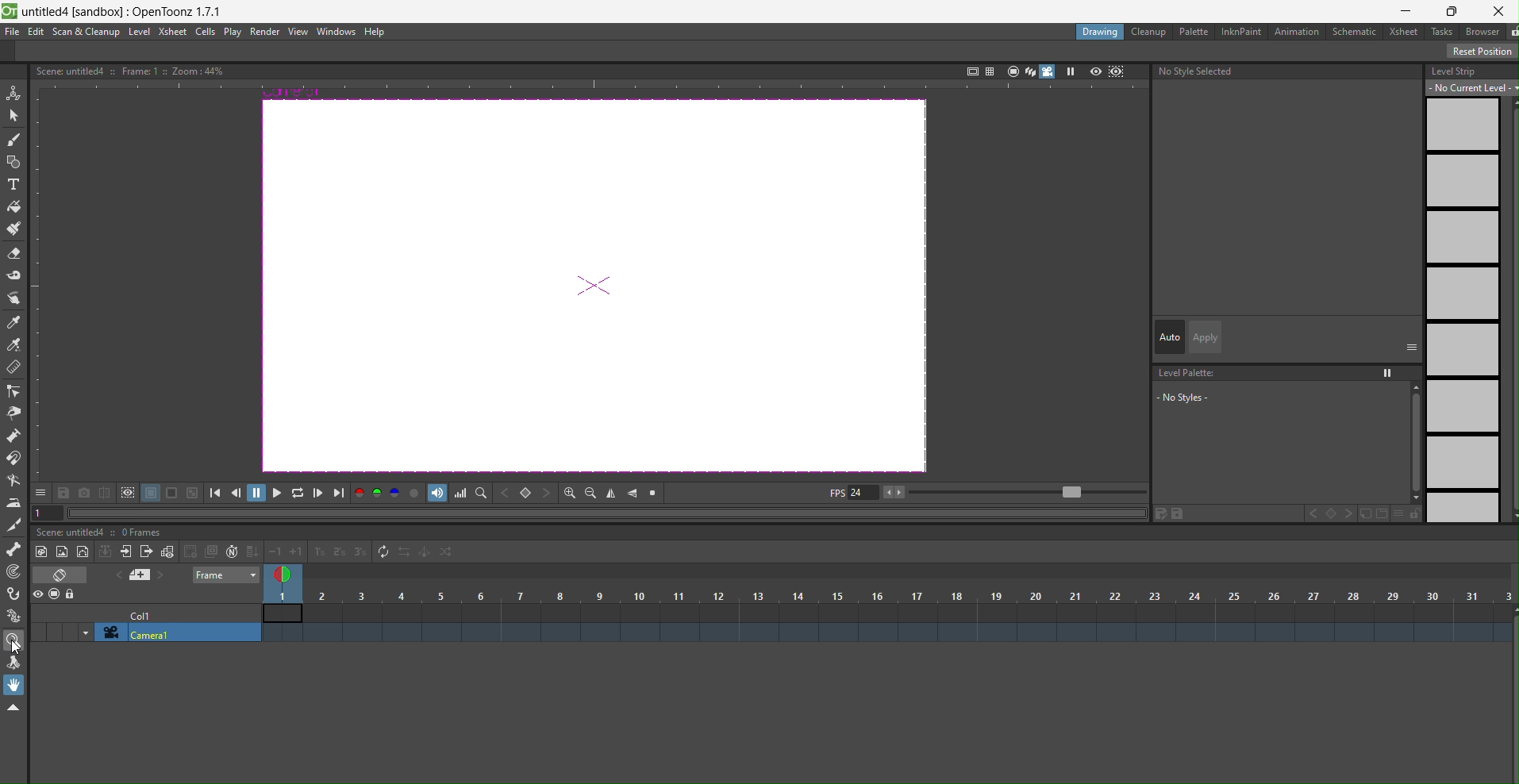  What do you see at coordinates (656, 494) in the screenshot?
I see `` at bounding box center [656, 494].